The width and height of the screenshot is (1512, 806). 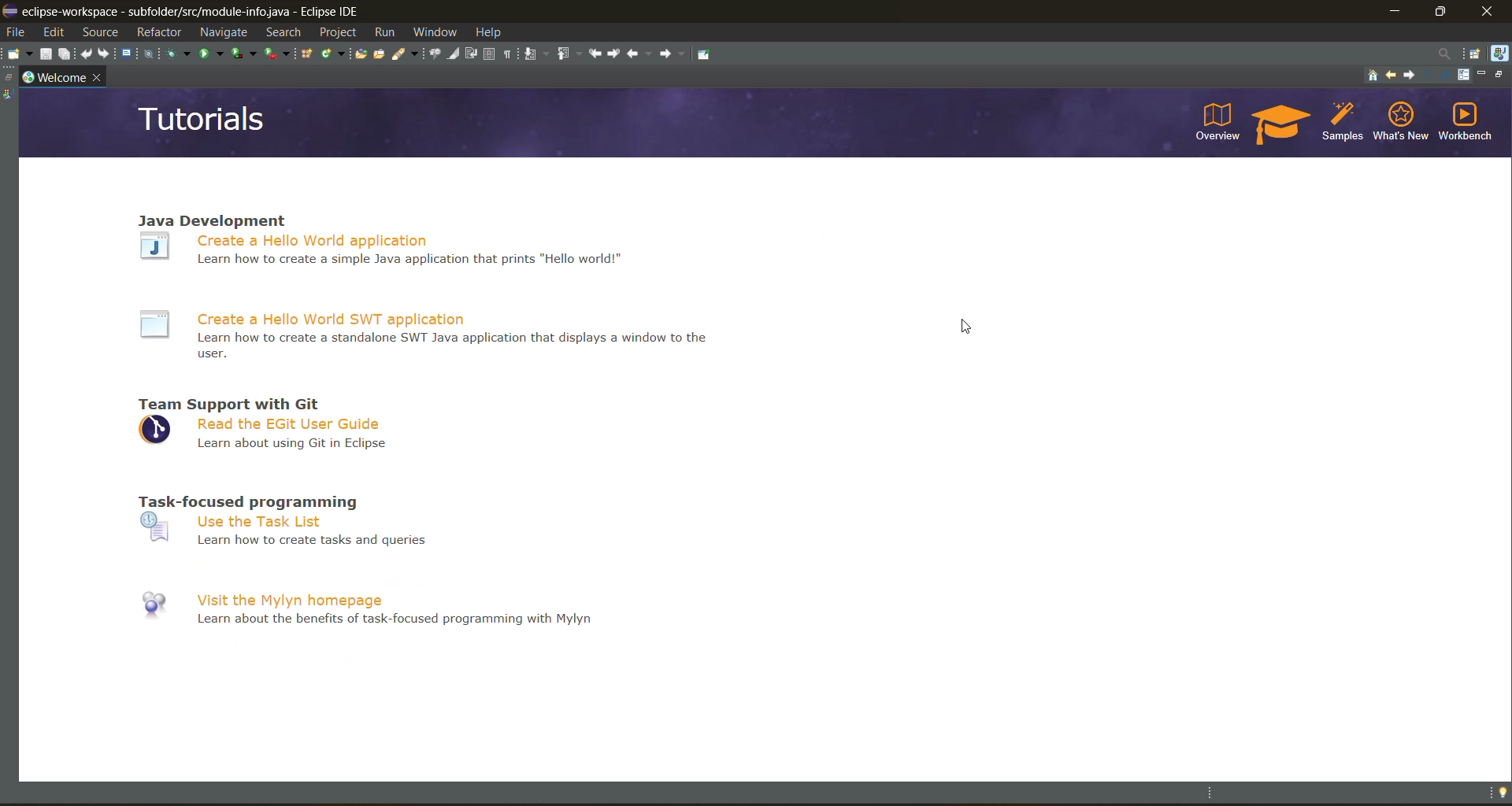 What do you see at coordinates (385, 258) in the screenshot?
I see `create a hello world application` at bounding box center [385, 258].